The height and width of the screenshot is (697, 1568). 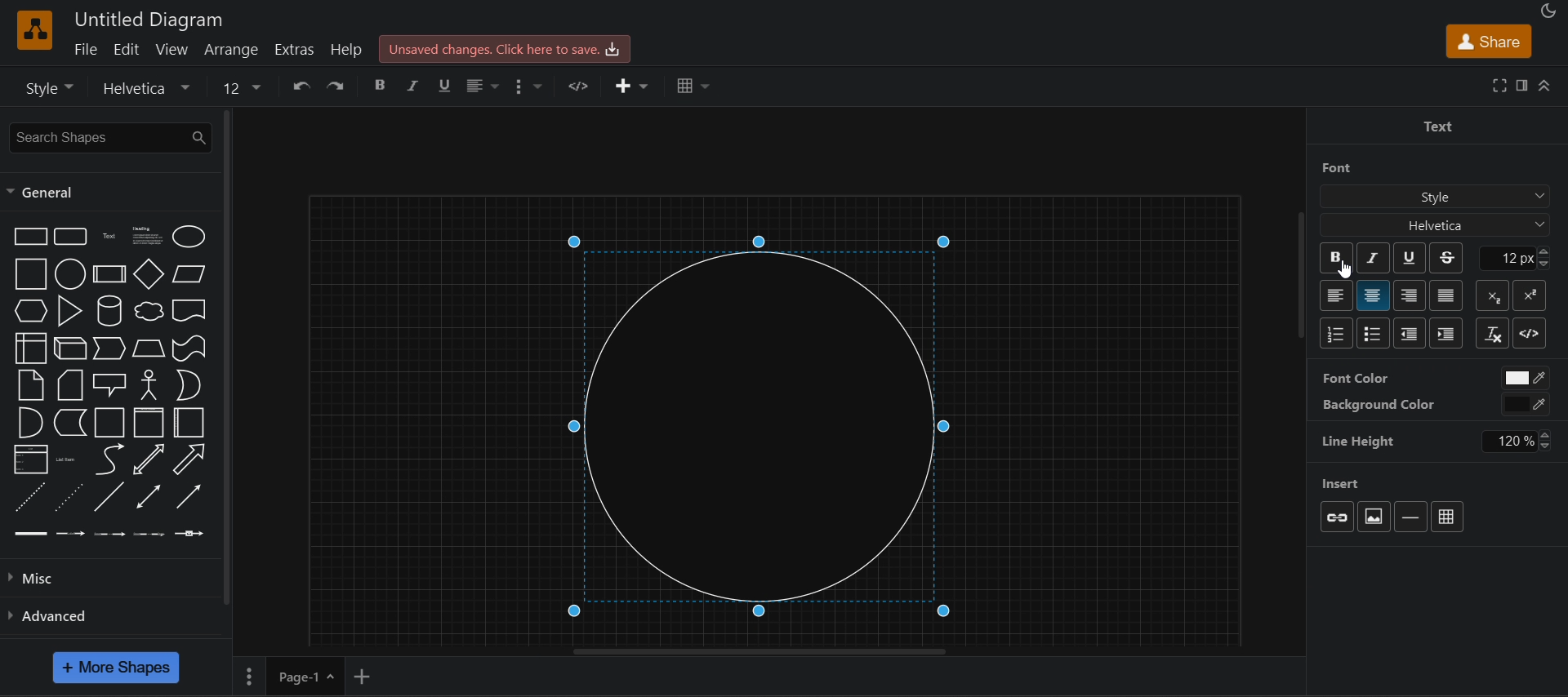 What do you see at coordinates (88, 51) in the screenshot?
I see `file` at bounding box center [88, 51].